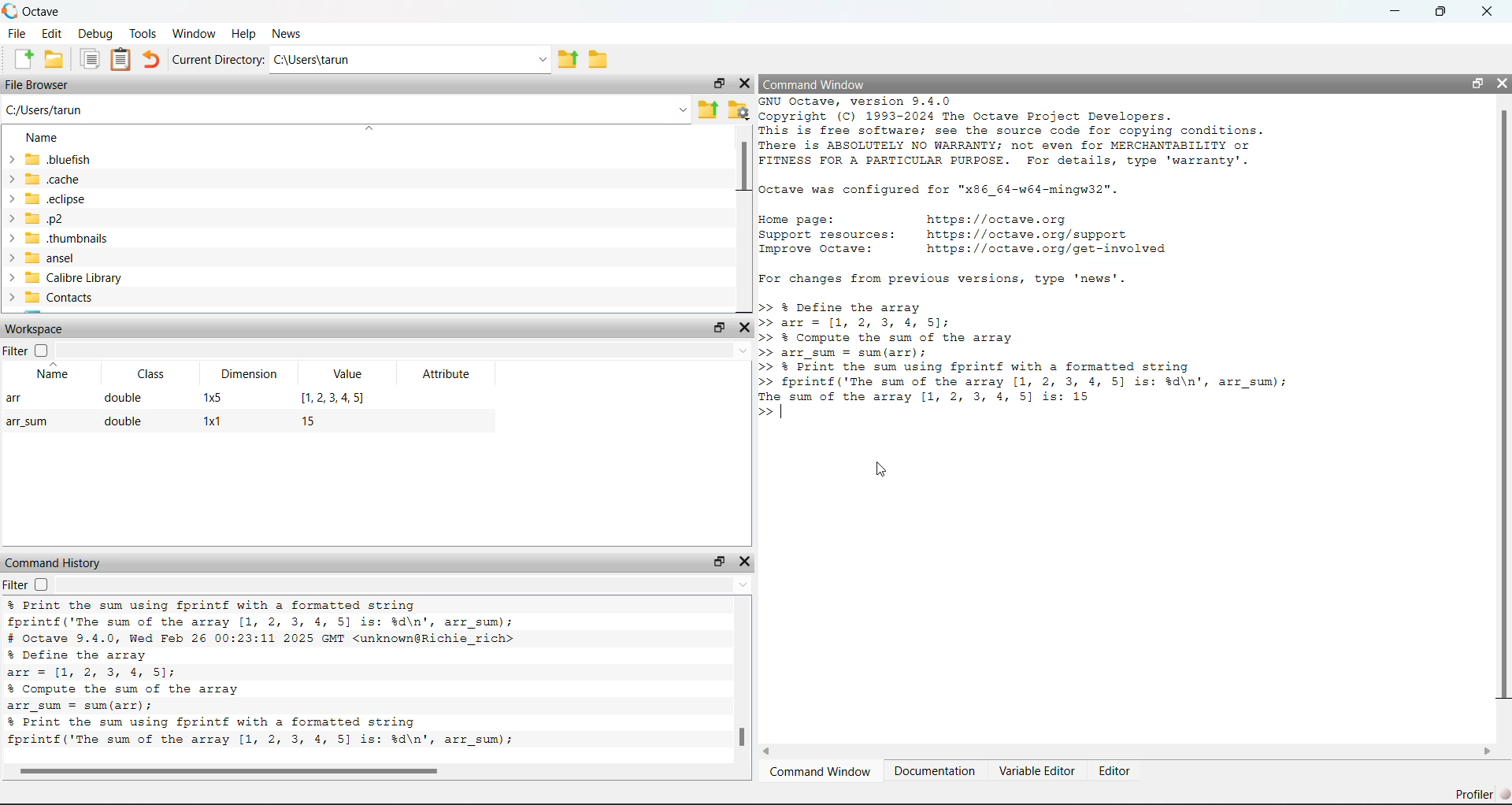 This screenshot has width=1512, height=805. Describe the element at coordinates (18, 33) in the screenshot. I see `File` at that location.